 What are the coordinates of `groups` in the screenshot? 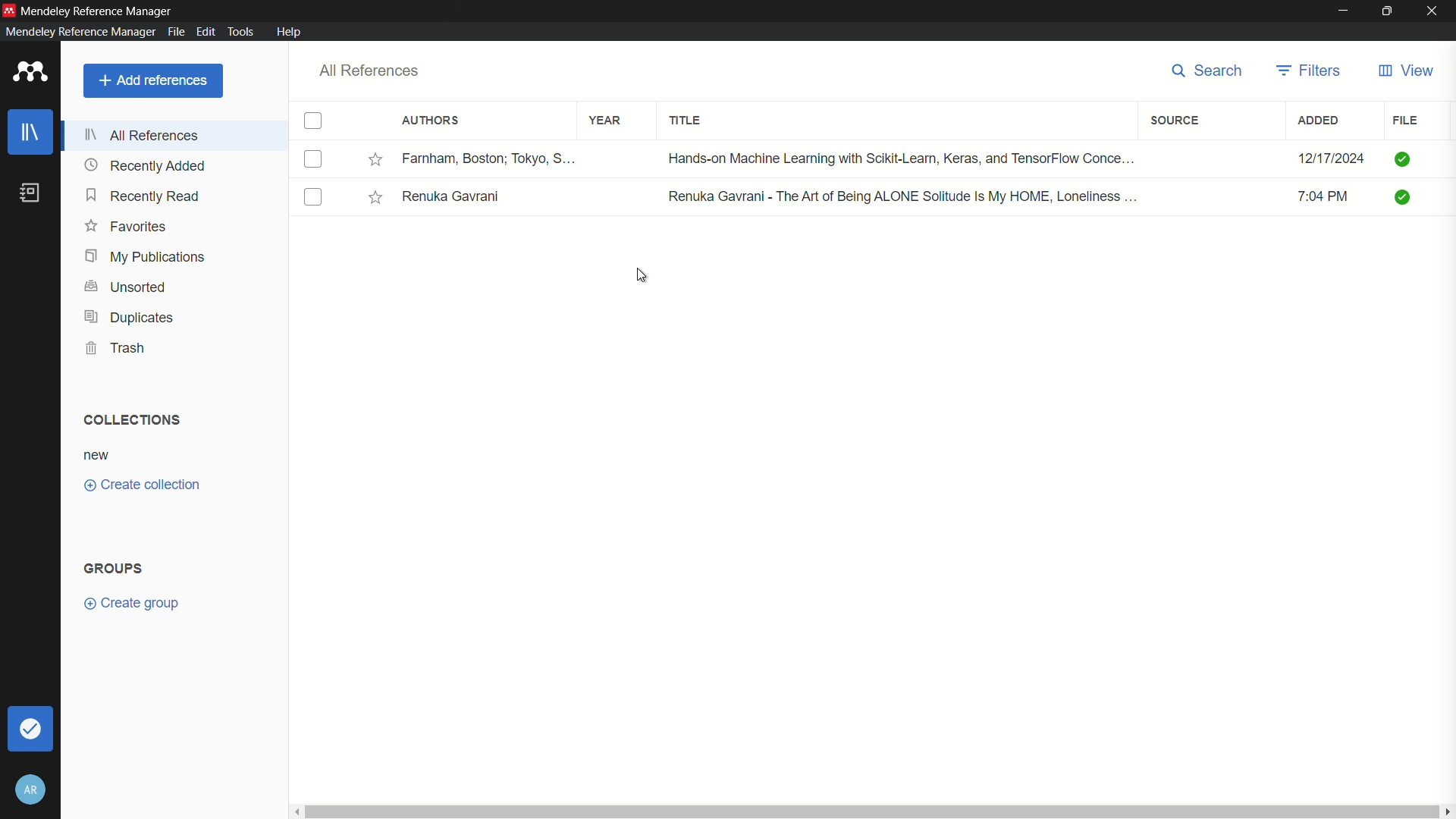 It's located at (115, 568).